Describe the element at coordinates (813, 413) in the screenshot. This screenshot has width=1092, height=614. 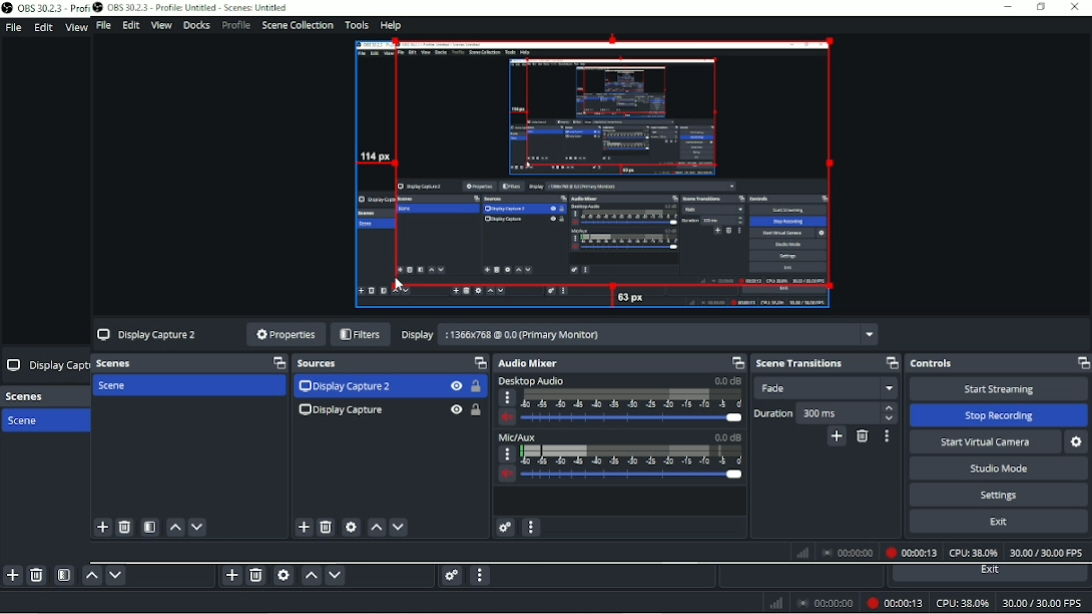
I see `Duration 300 ms` at that location.